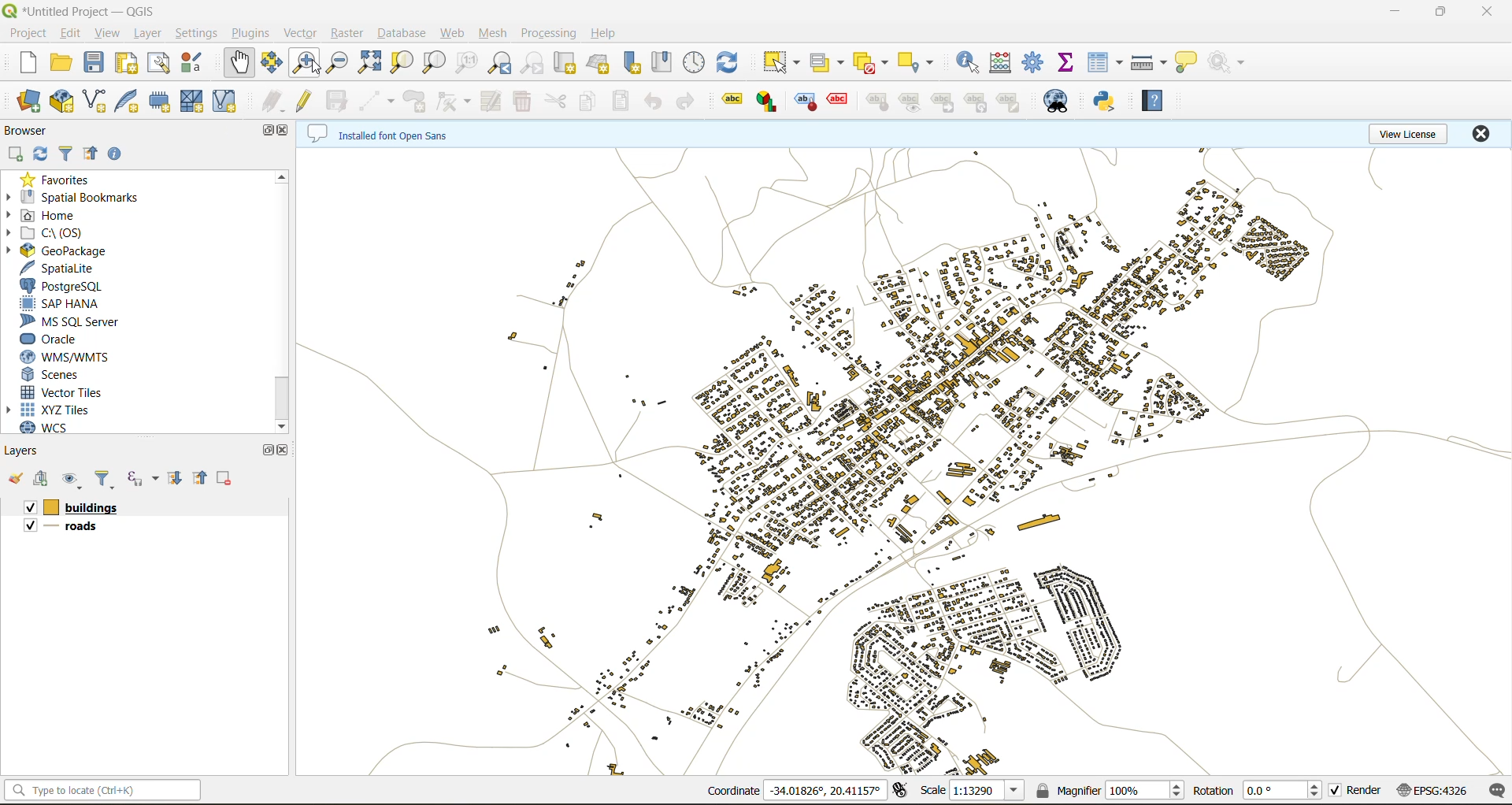 The width and height of the screenshot is (1512, 805). Describe the element at coordinates (64, 268) in the screenshot. I see `spatialite` at that location.